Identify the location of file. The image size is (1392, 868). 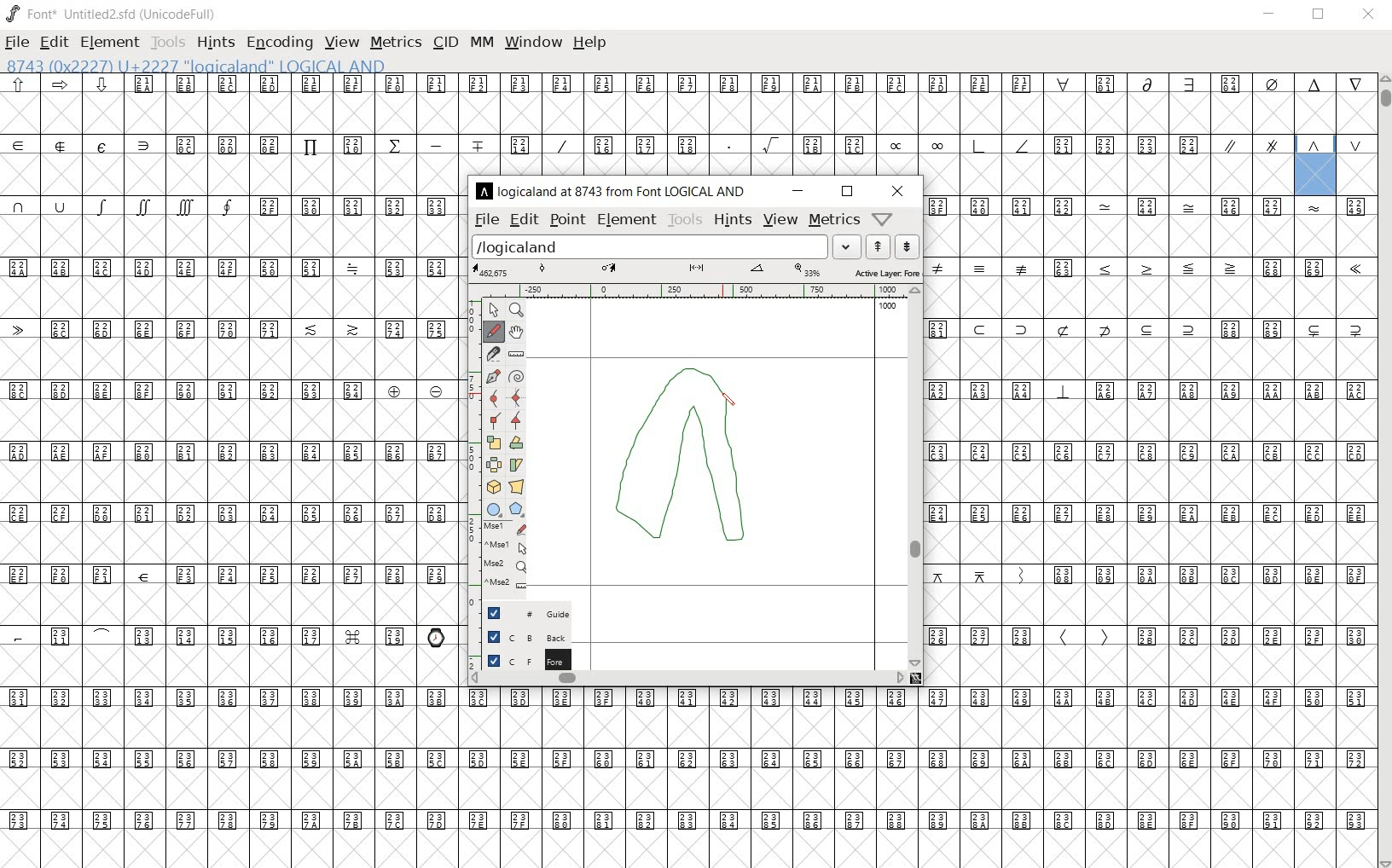
(485, 220).